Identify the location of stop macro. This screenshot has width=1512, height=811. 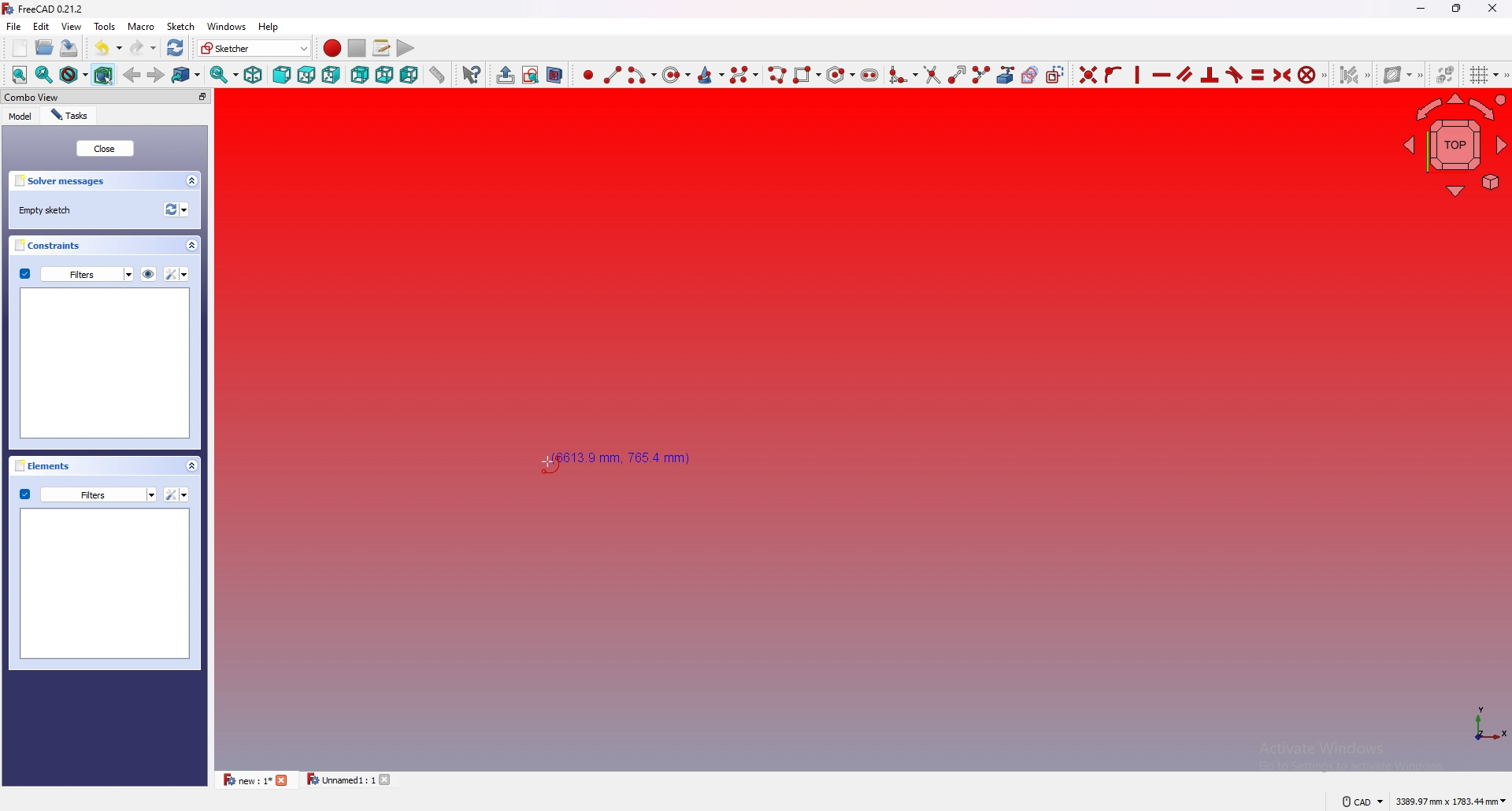
(358, 48).